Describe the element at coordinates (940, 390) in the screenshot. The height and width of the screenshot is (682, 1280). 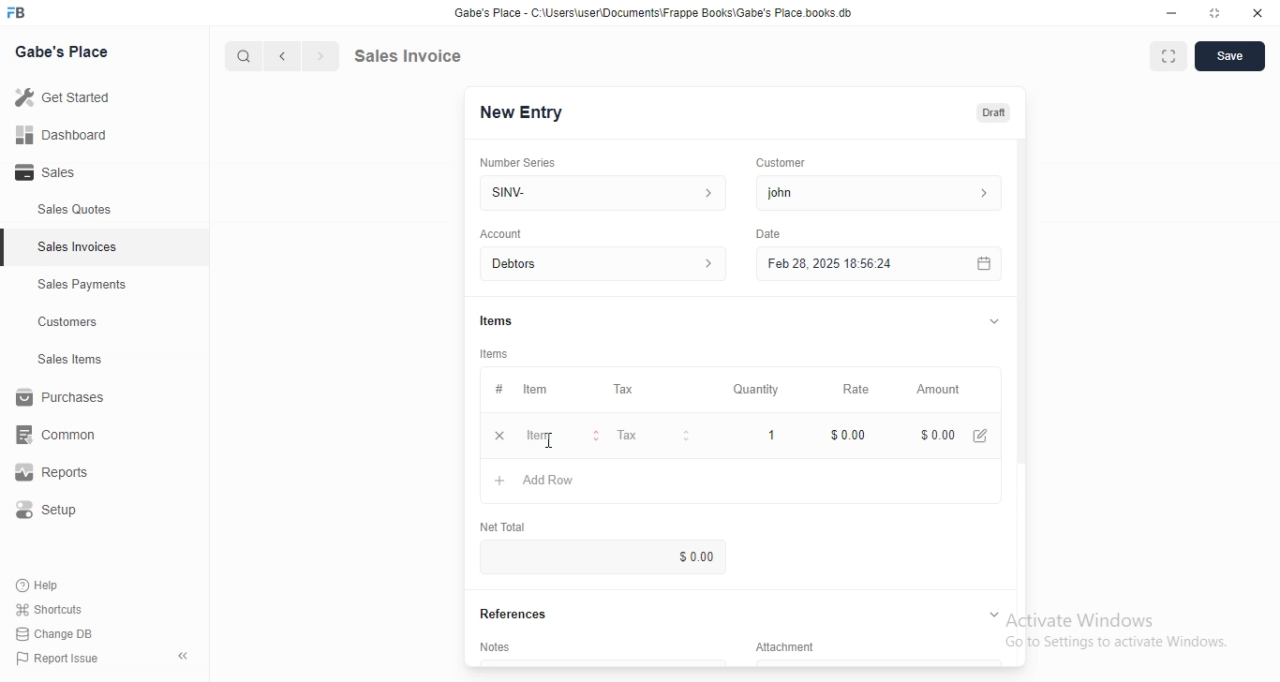
I see `‘Amount` at that location.